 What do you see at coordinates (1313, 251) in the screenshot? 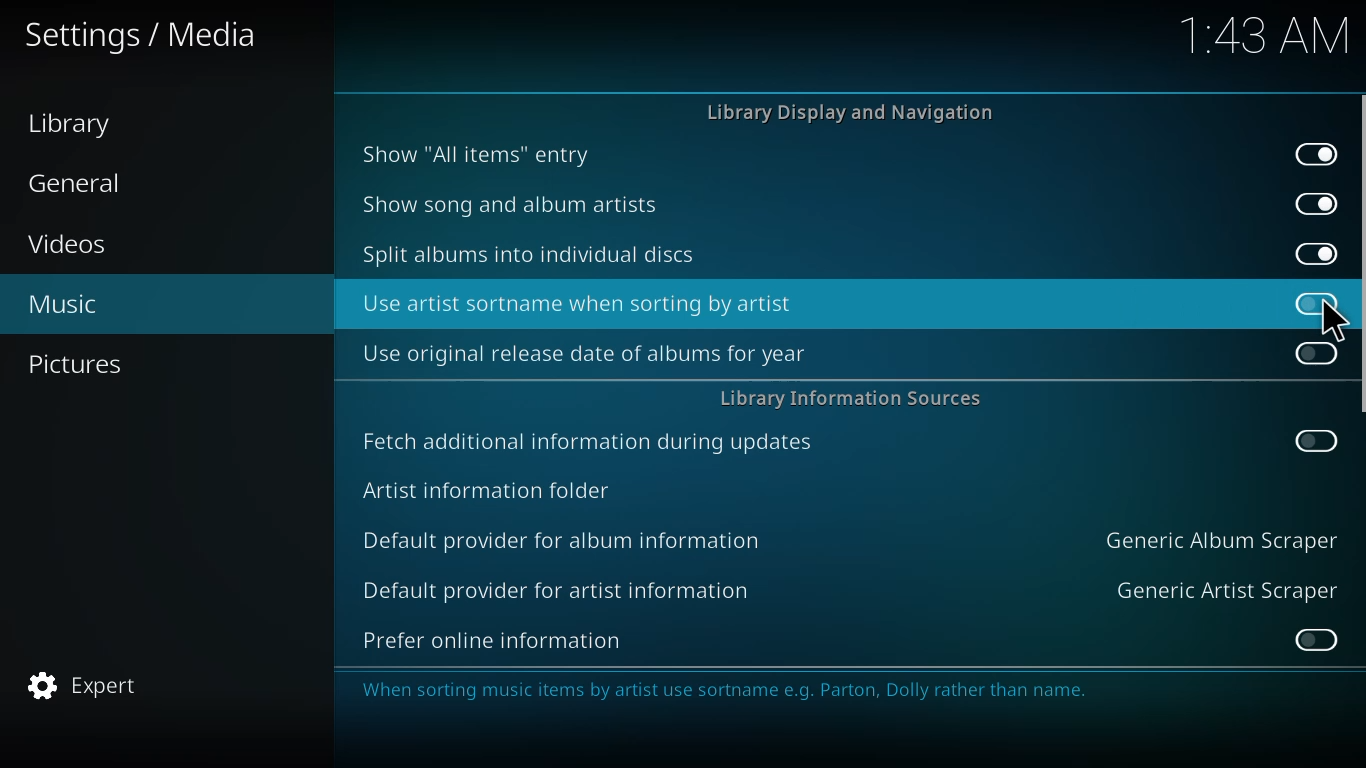
I see `enabled` at bounding box center [1313, 251].